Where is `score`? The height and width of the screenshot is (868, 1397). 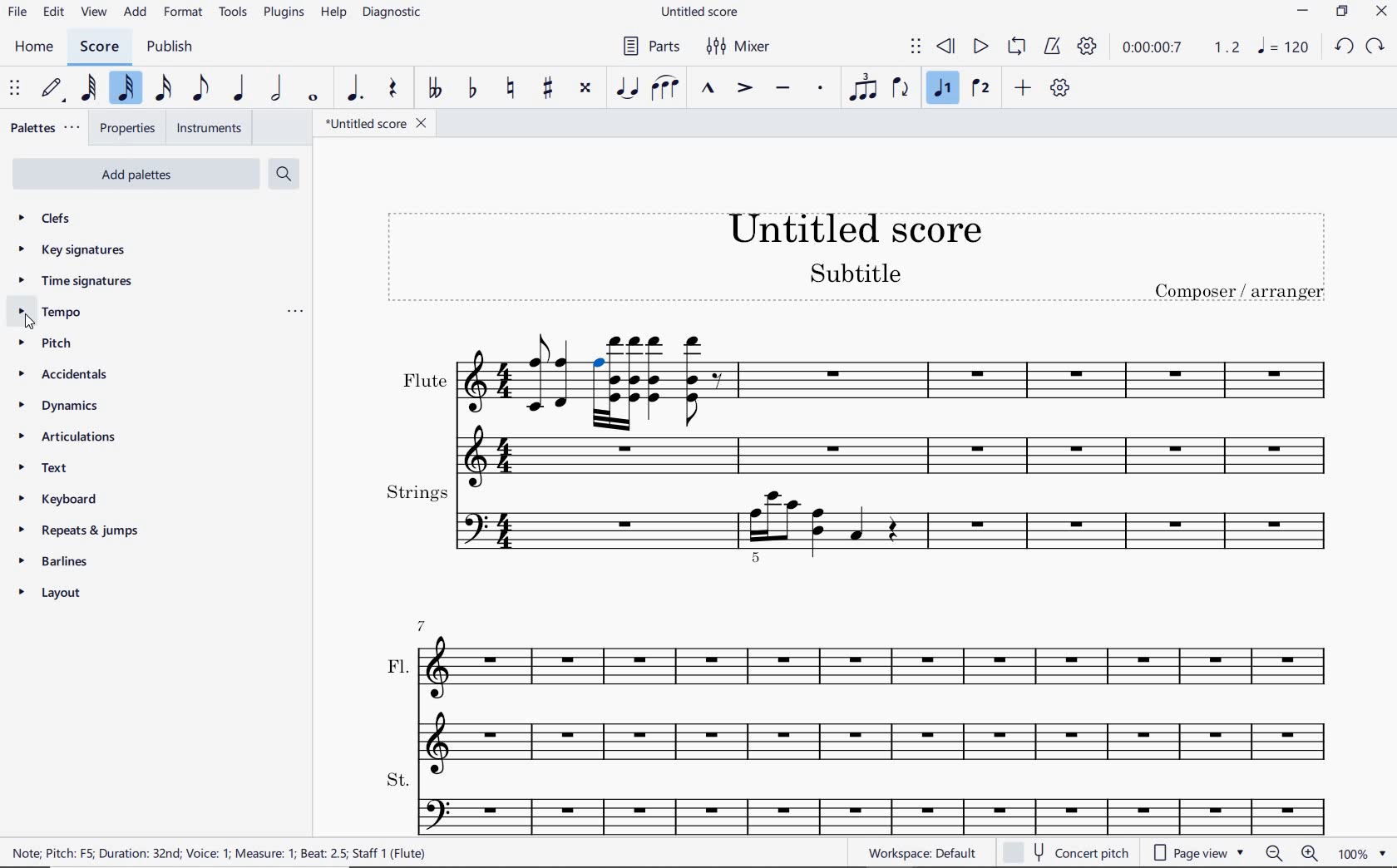 score is located at coordinates (99, 46).